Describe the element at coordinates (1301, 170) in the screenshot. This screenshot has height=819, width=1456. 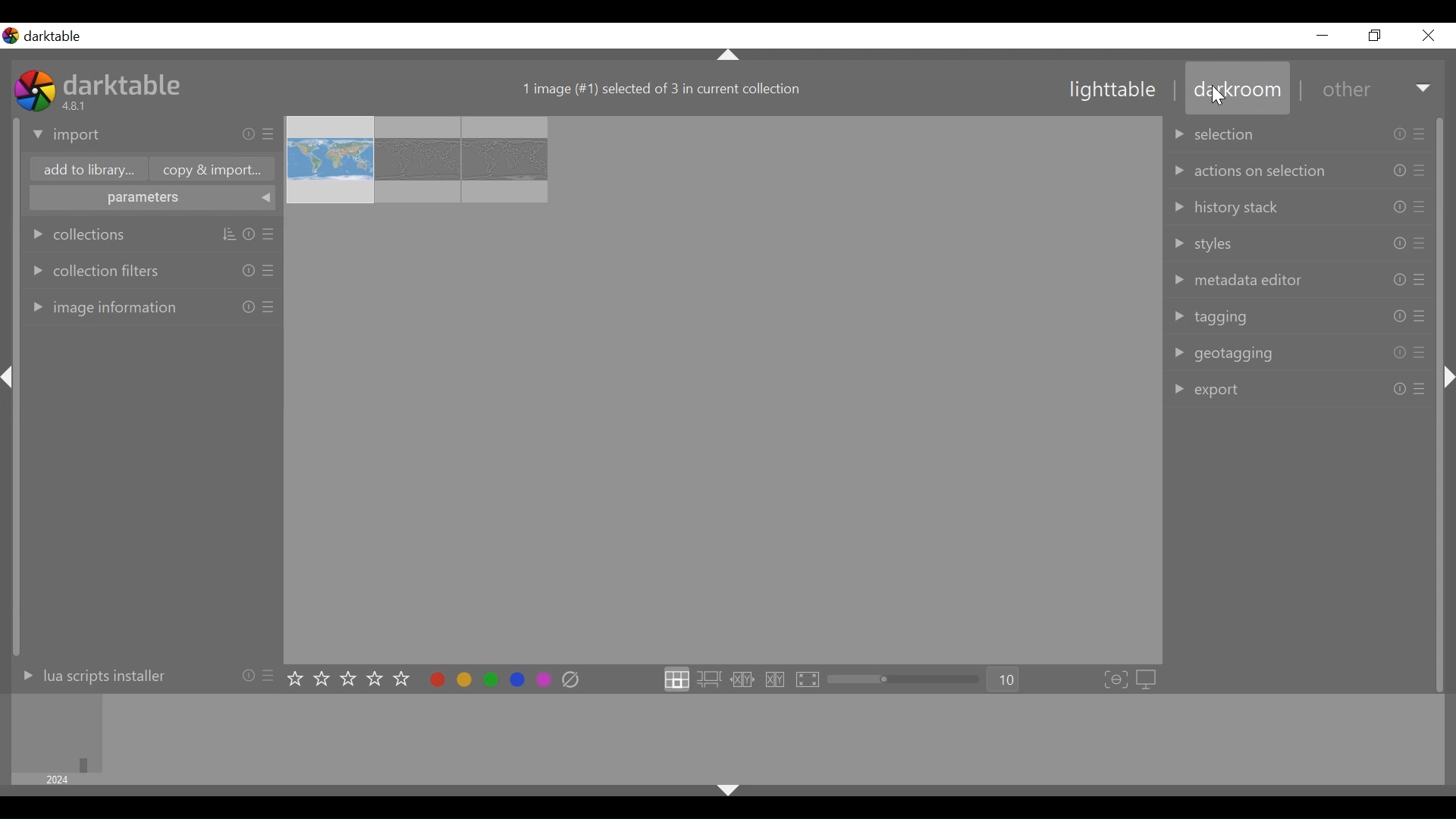
I see `action on selection` at that location.